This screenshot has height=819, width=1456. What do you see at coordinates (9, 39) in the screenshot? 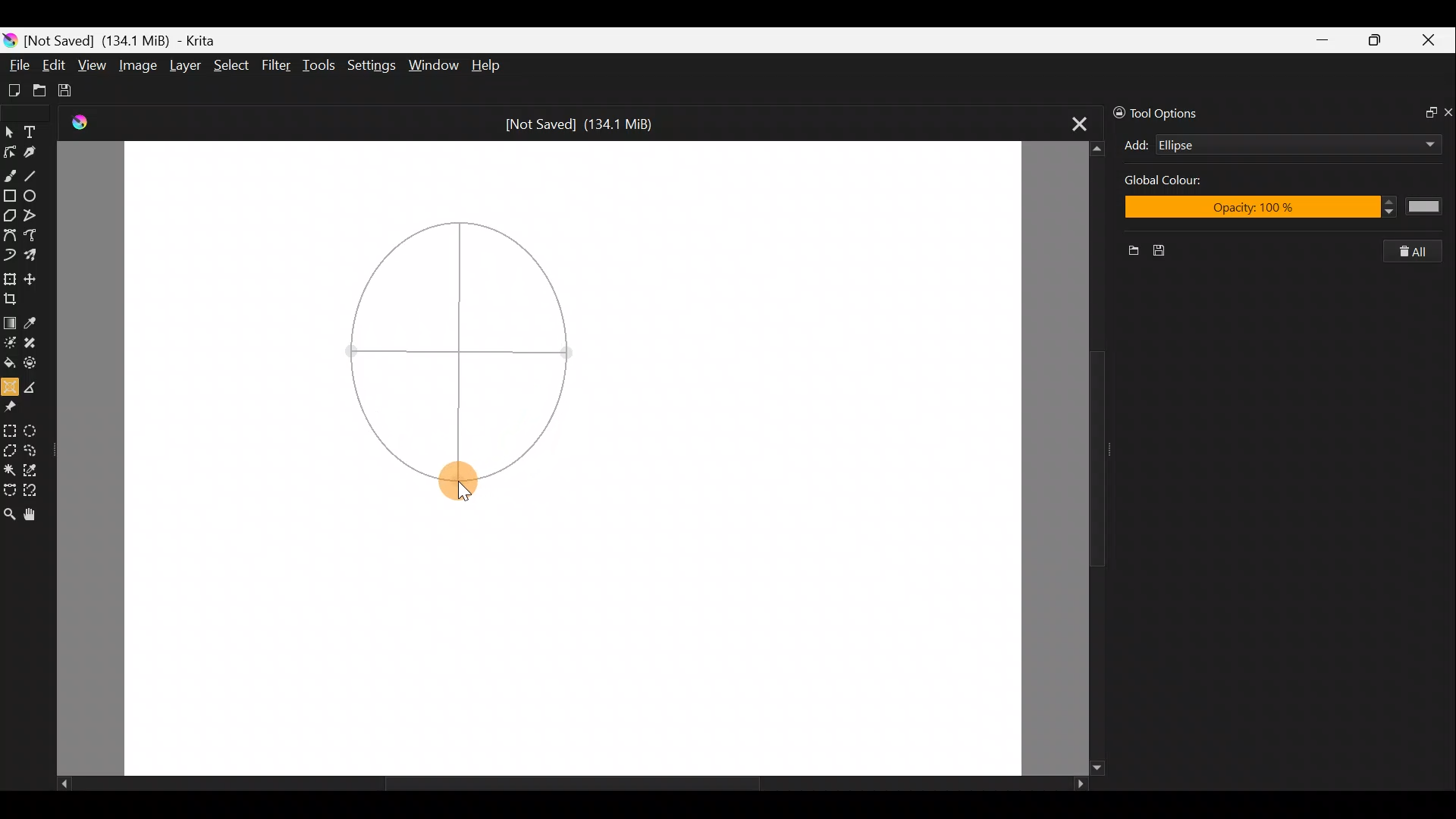
I see `Krita logo` at bounding box center [9, 39].